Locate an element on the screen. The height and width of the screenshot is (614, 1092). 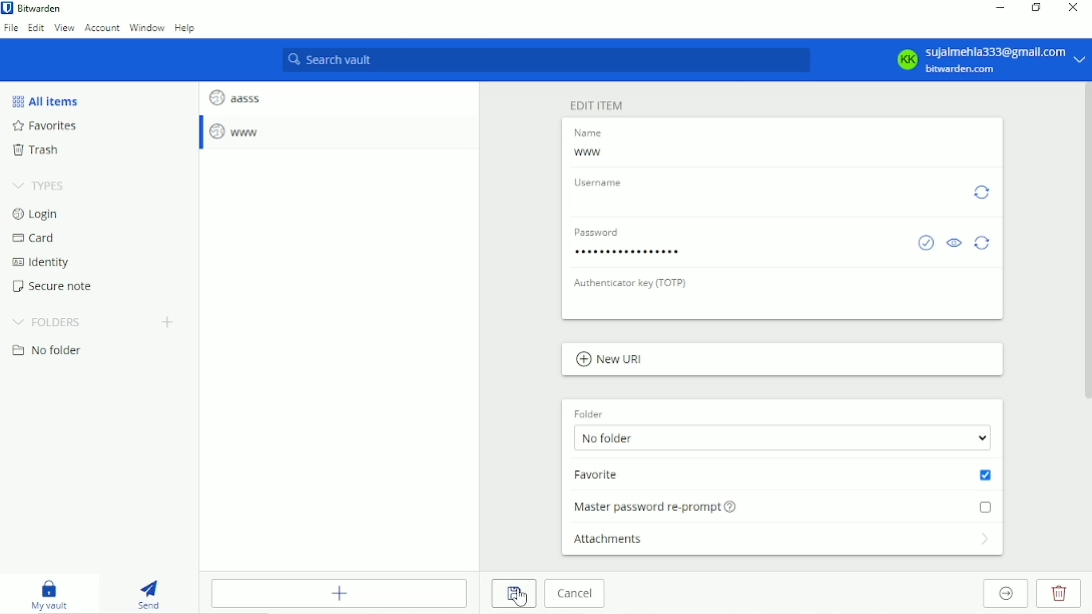
Attachments is located at coordinates (784, 543).